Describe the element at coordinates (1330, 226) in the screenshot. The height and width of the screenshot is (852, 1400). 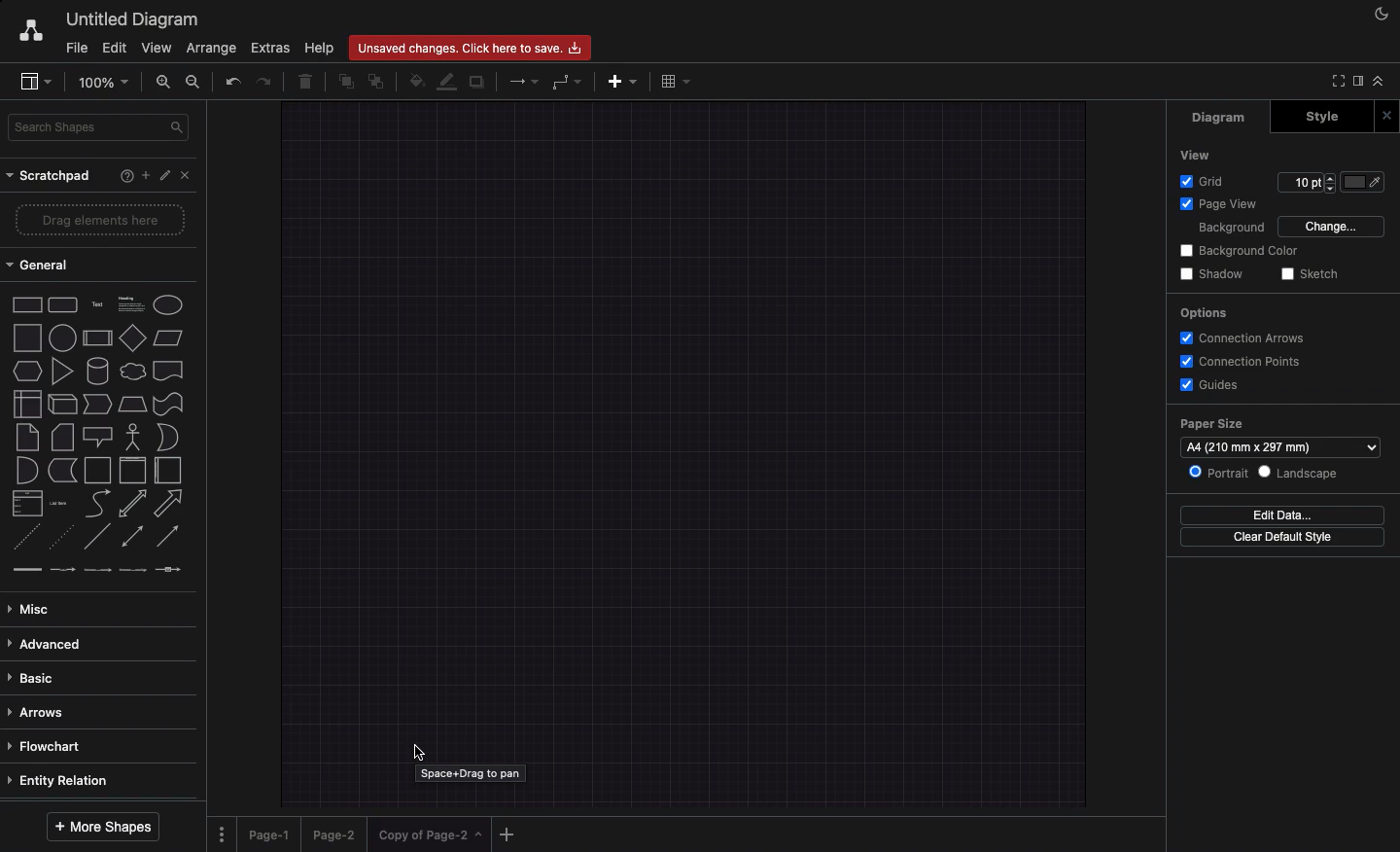
I see `Change` at that location.